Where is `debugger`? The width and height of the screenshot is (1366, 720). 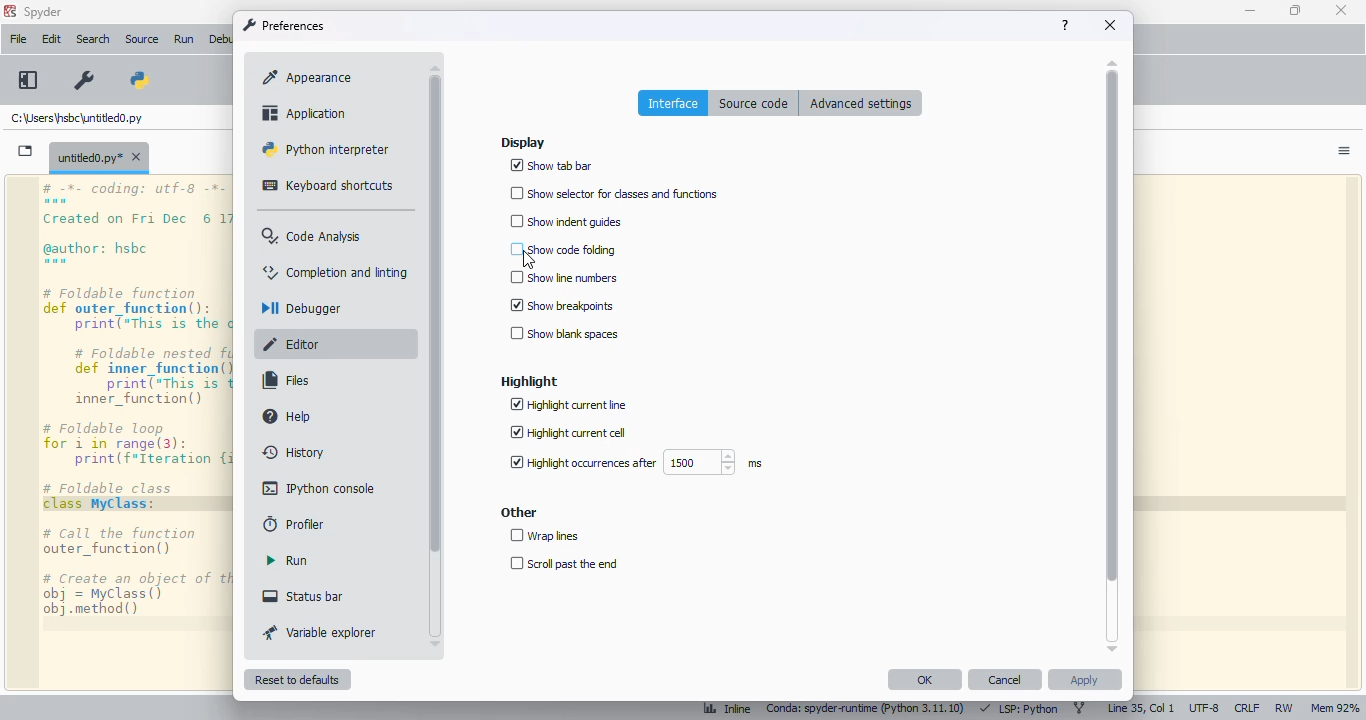
debugger is located at coordinates (301, 308).